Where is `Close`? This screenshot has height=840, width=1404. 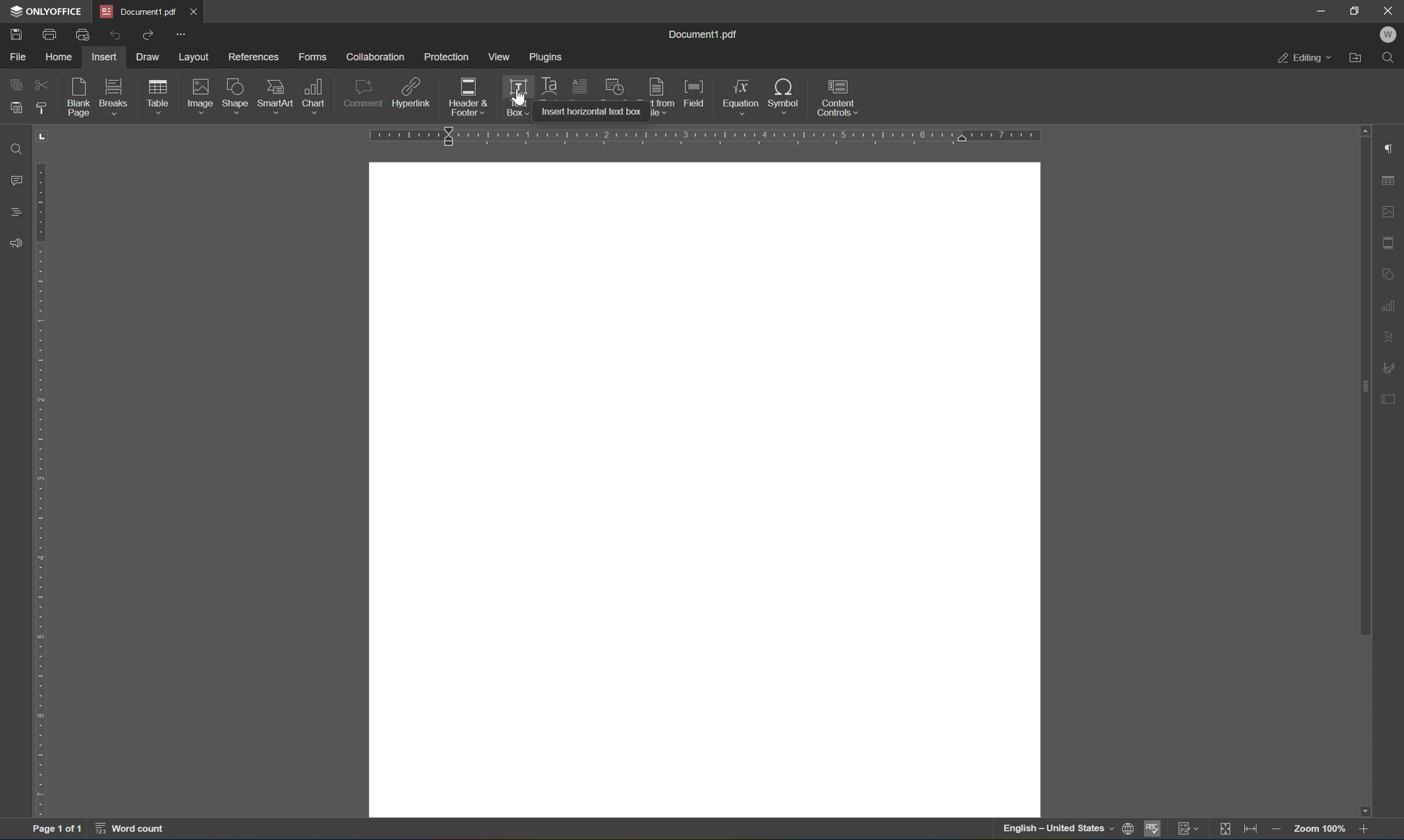
Close is located at coordinates (1392, 11).